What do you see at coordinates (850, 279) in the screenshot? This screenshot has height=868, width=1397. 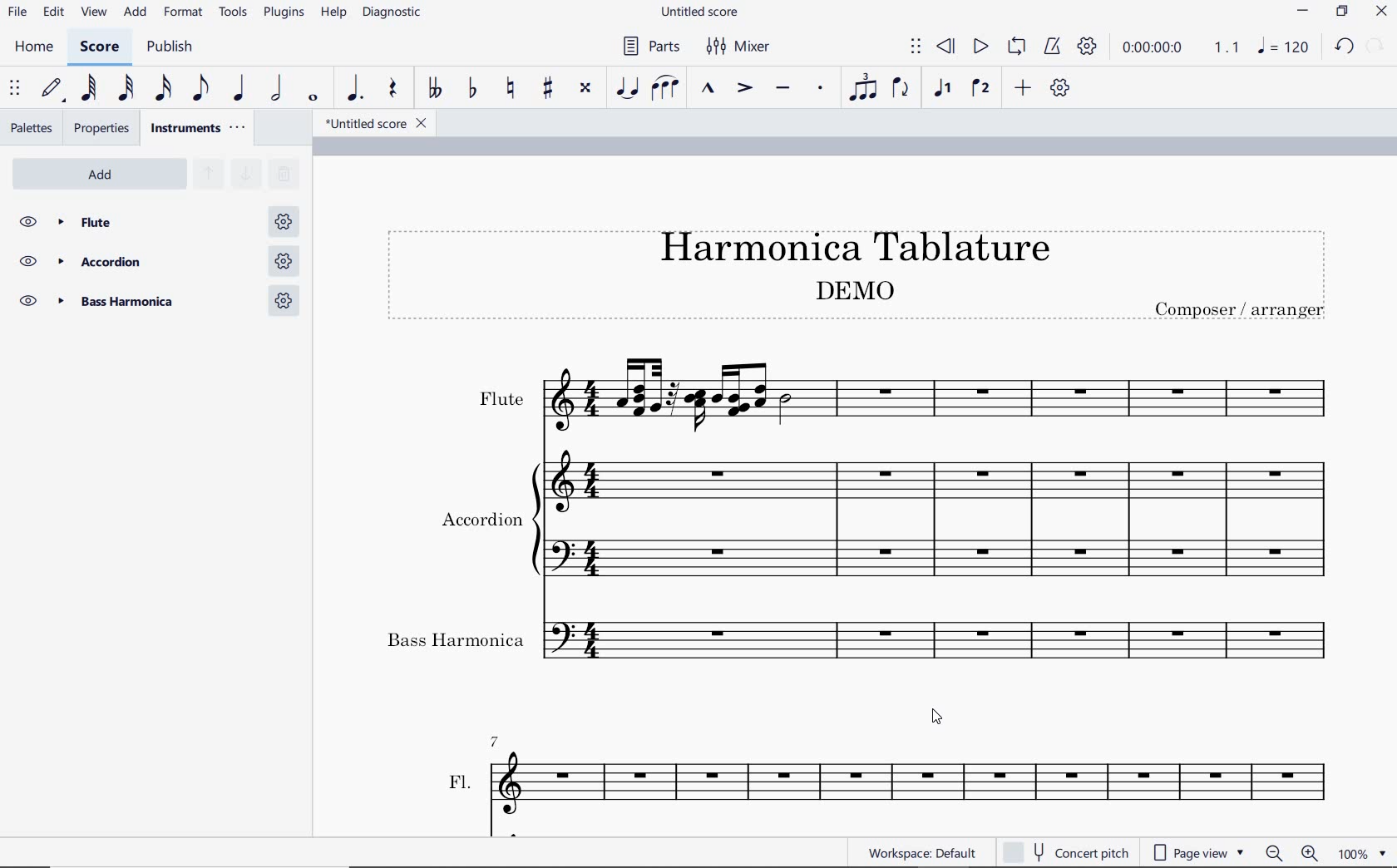 I see `Title` at bounding box center [850, 279].